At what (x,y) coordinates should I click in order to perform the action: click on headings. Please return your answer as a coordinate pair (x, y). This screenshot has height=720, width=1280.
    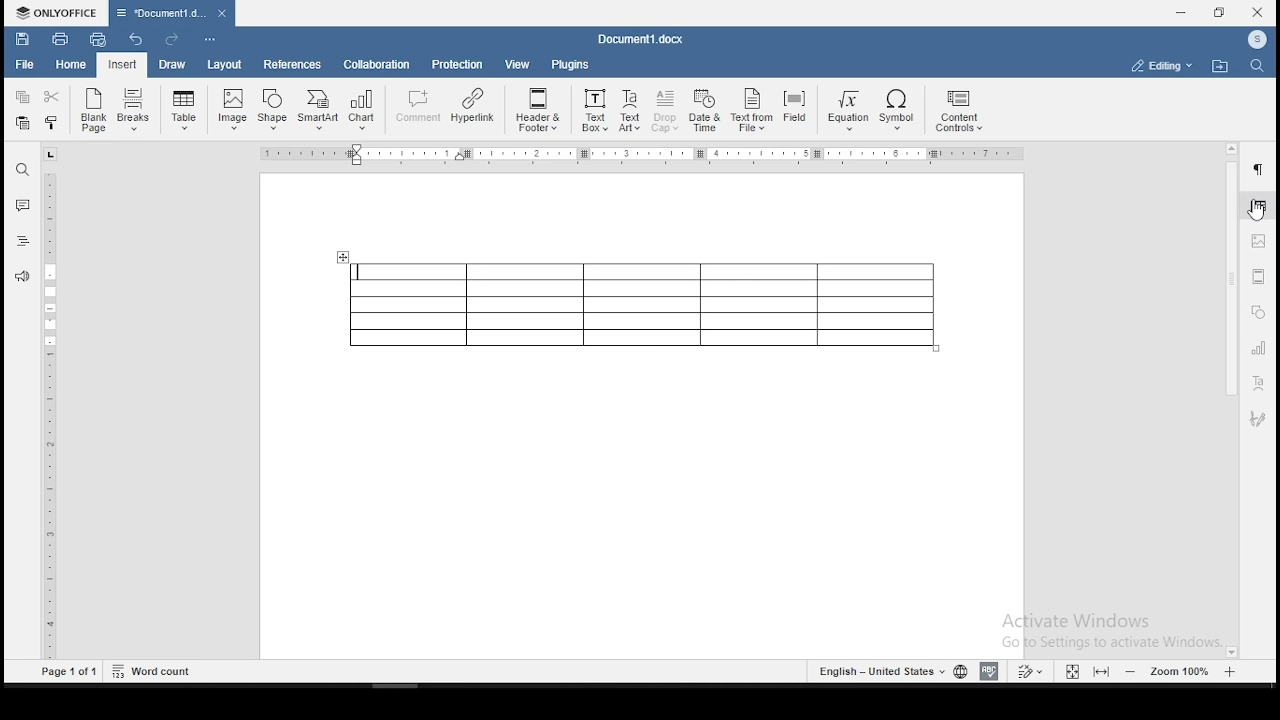
    Looking at the image, I should click on (23, 241).